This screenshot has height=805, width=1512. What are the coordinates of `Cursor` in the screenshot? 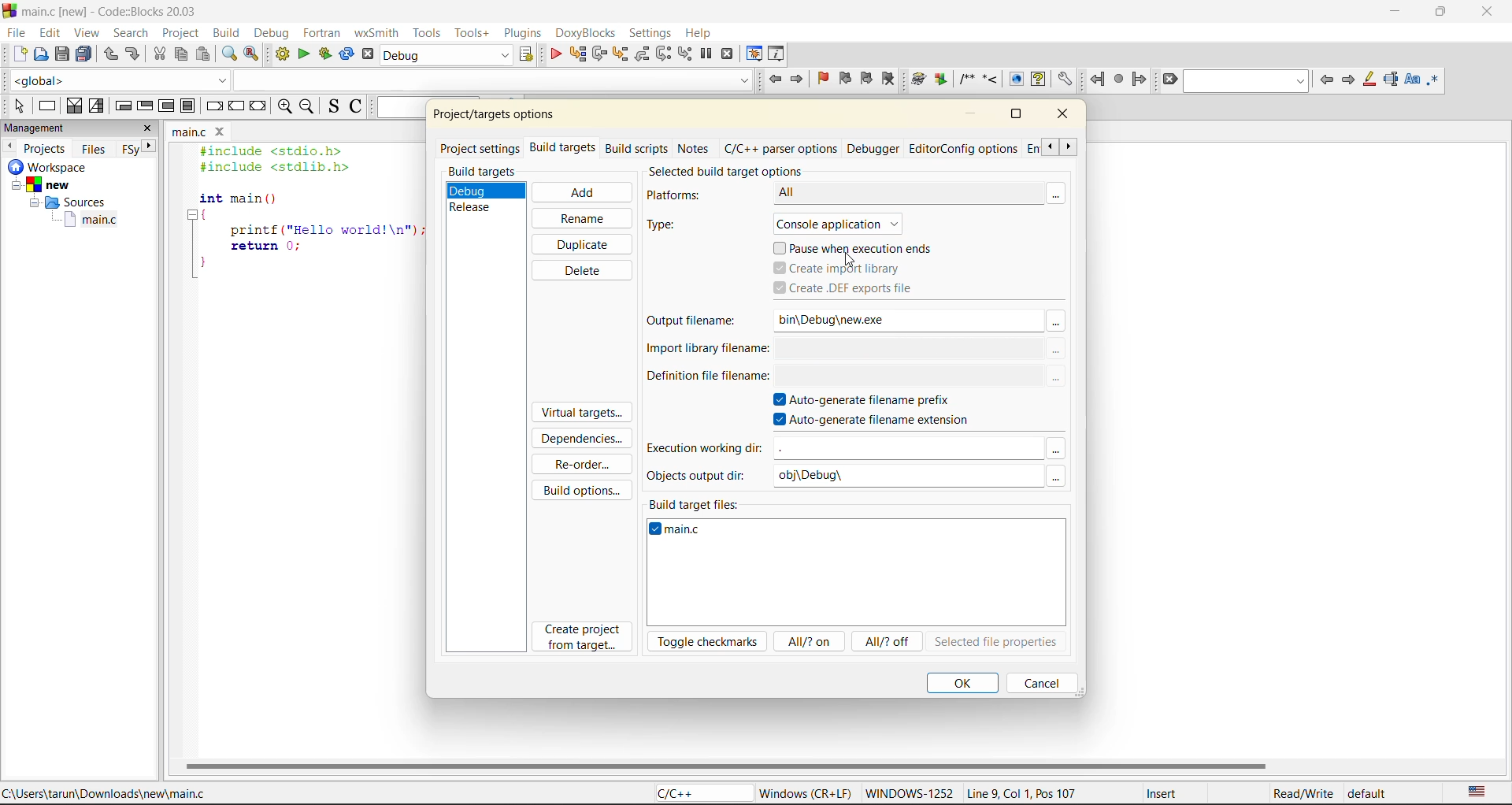 It's located at (850, 259).